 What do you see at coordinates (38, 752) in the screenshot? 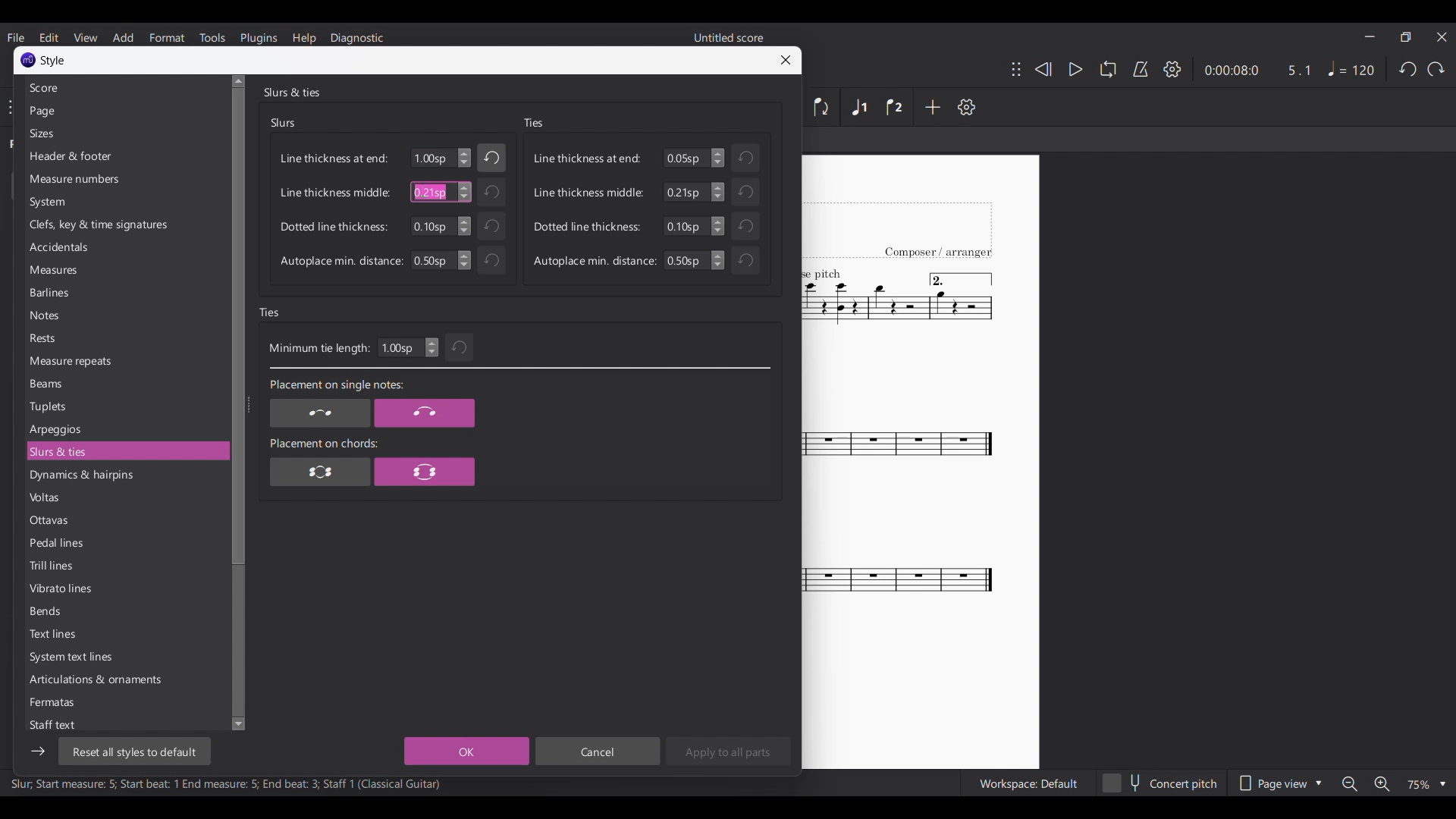
I see `Show/Hide side bar` at bounding box center [38, 752].